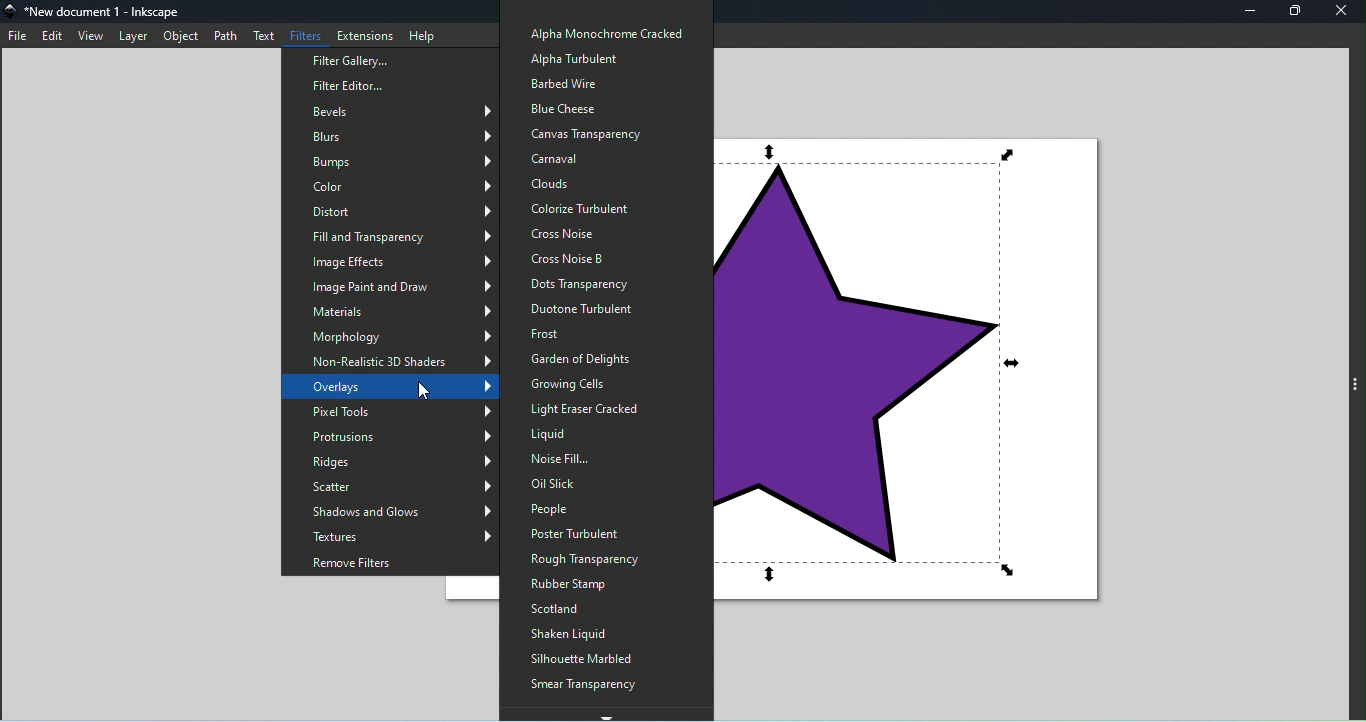  What do you see at coordinates (586, 334) in the screenshot?
I see `Frost` at bounding box center [586, 334].